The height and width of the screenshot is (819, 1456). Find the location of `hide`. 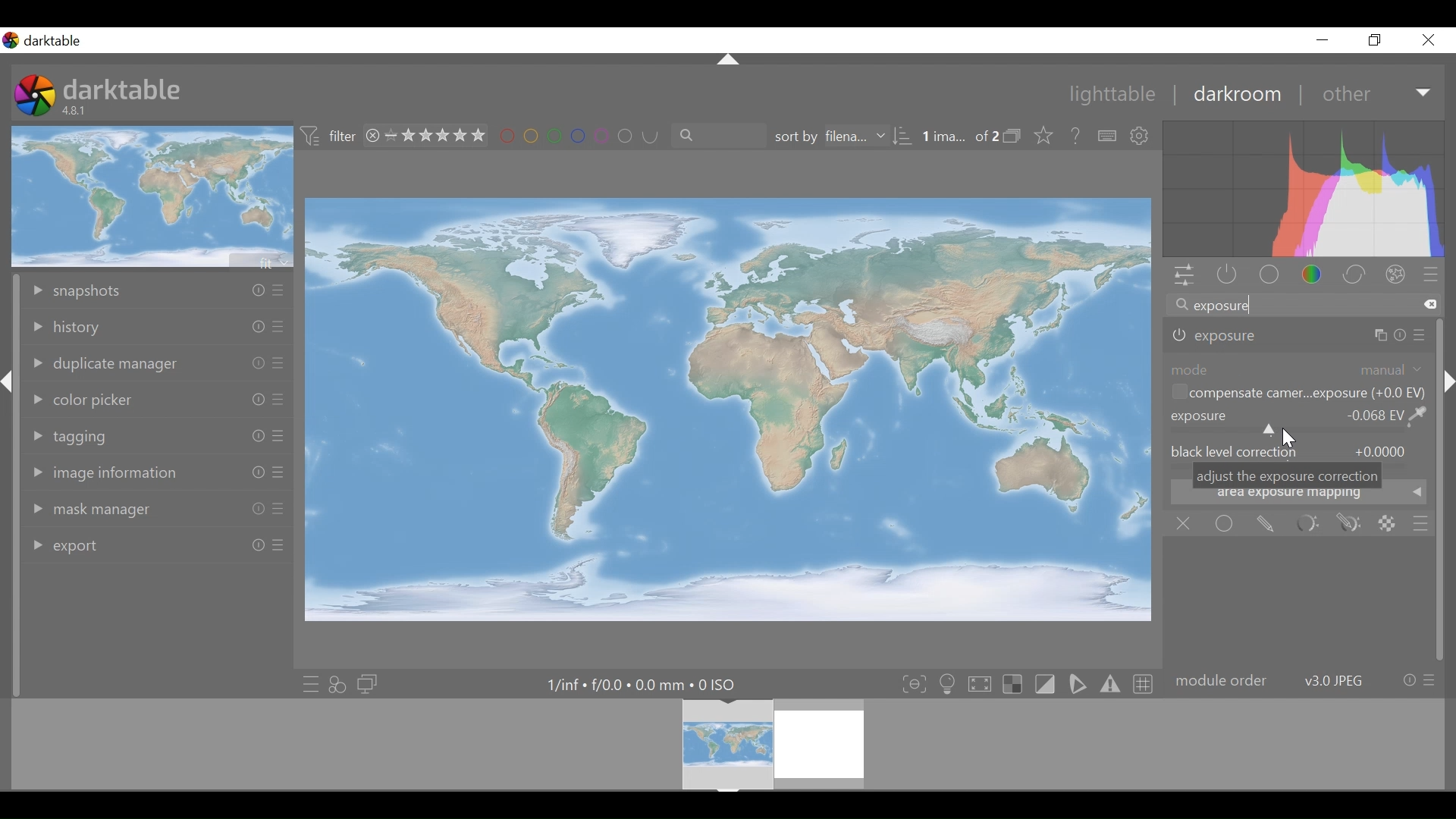

hide is located at coordinates (10, 388).